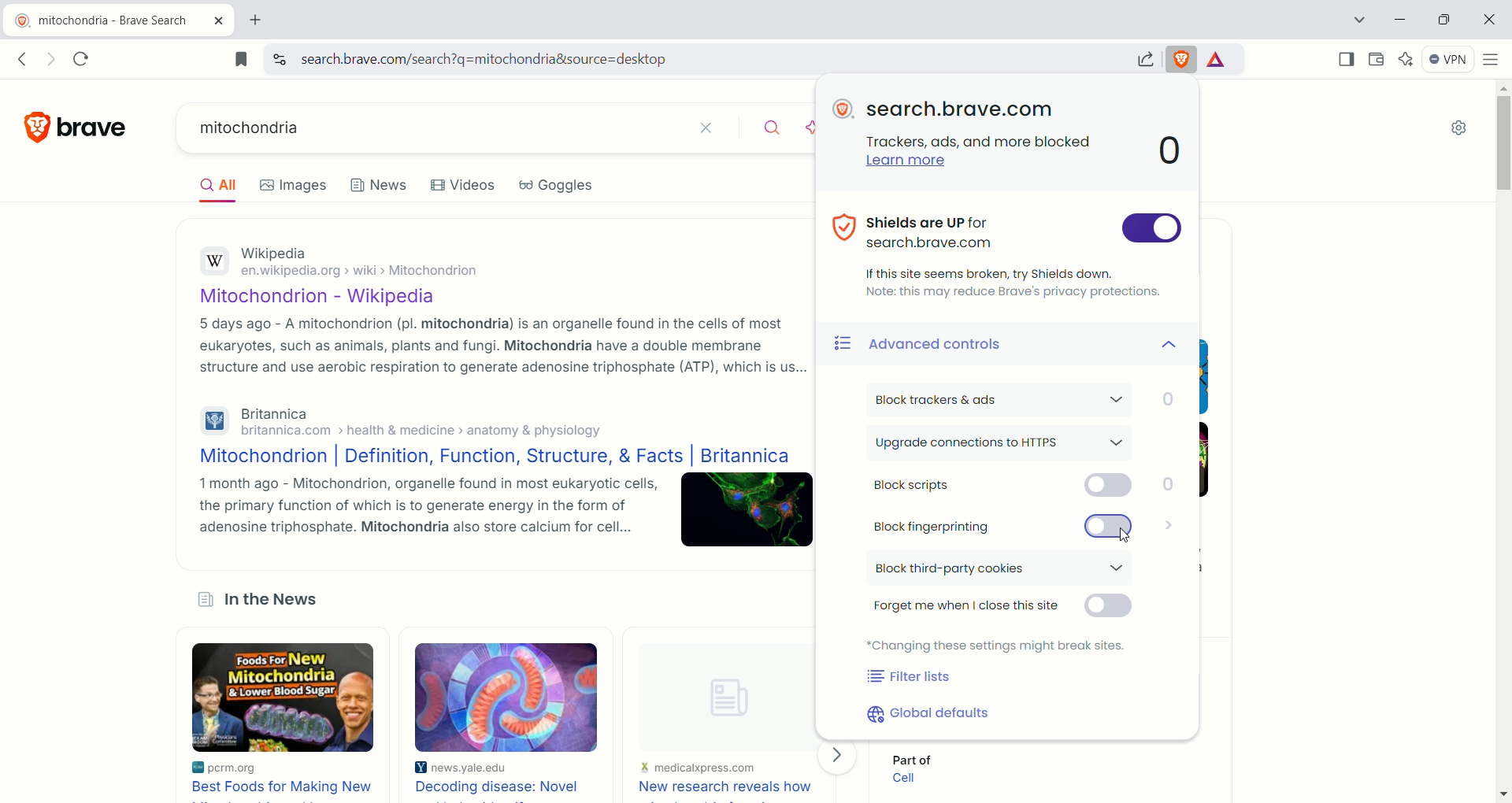  I want to click on on, so click(1152, 228).